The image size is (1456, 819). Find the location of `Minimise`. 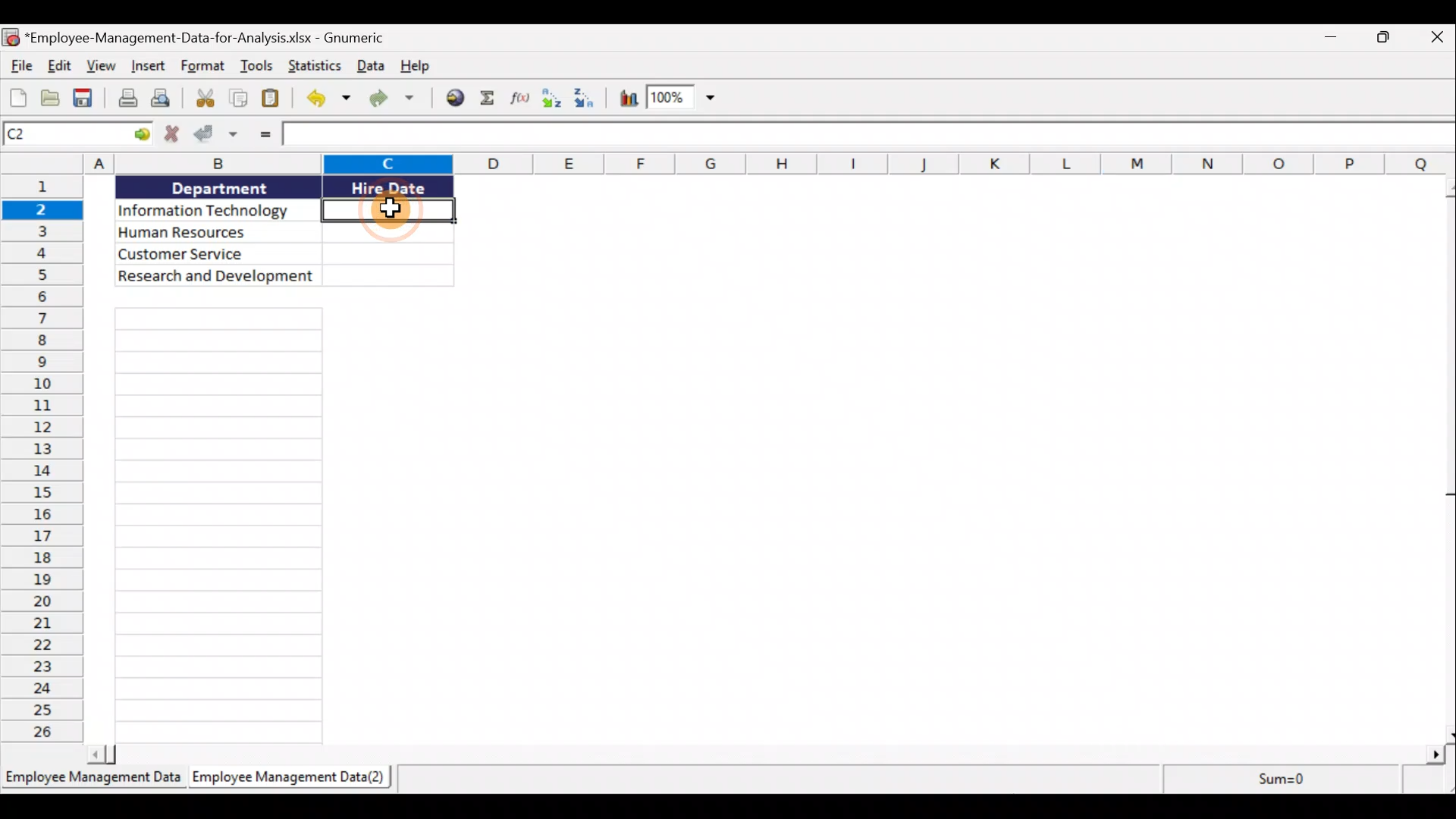

Minimise is located at coordinates (1332, 36).